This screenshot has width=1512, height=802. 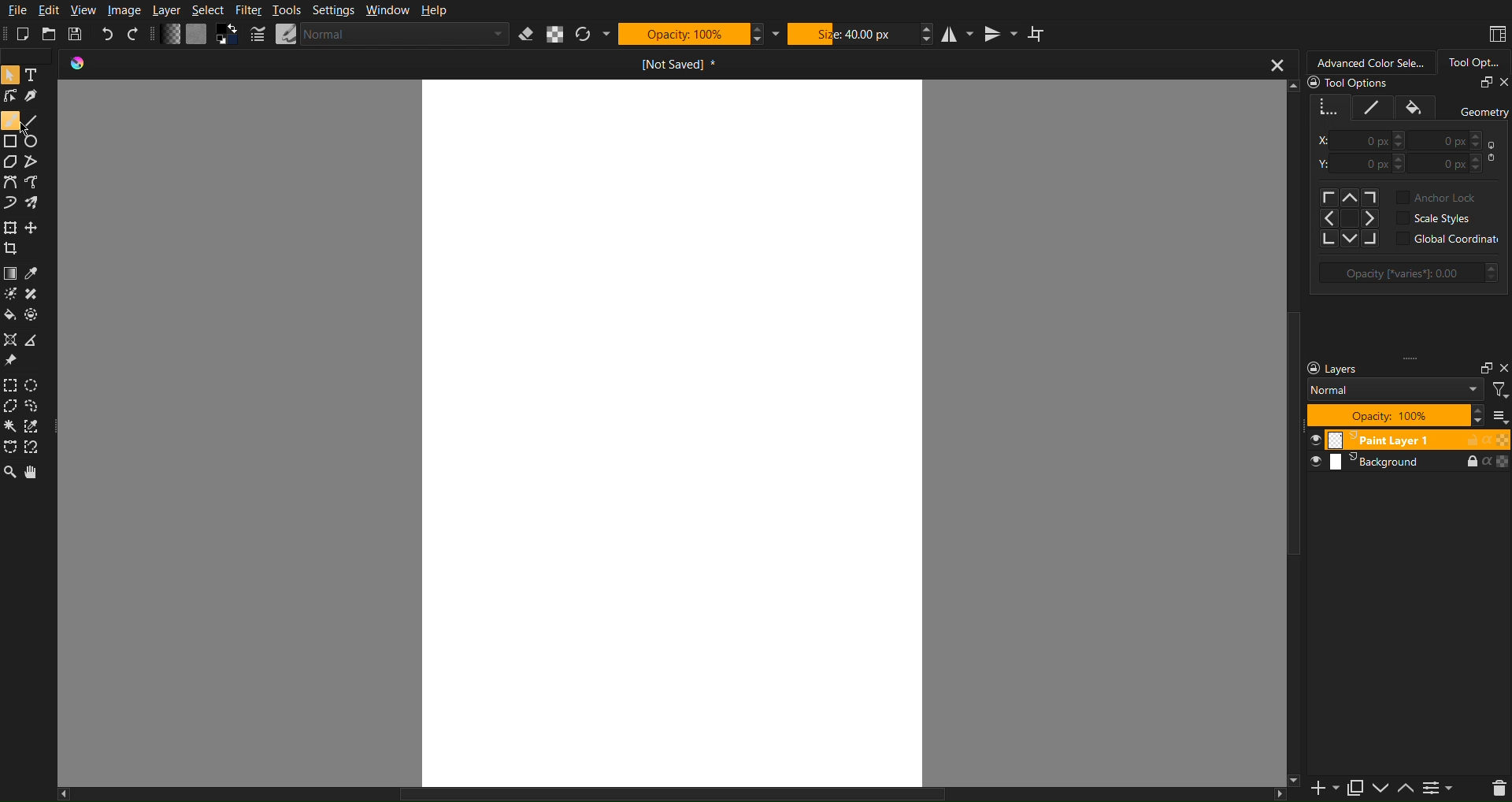 What do you see at coordinates (37, 76) in the screenshot?
I see `Text` at bounding box center [37, 76].